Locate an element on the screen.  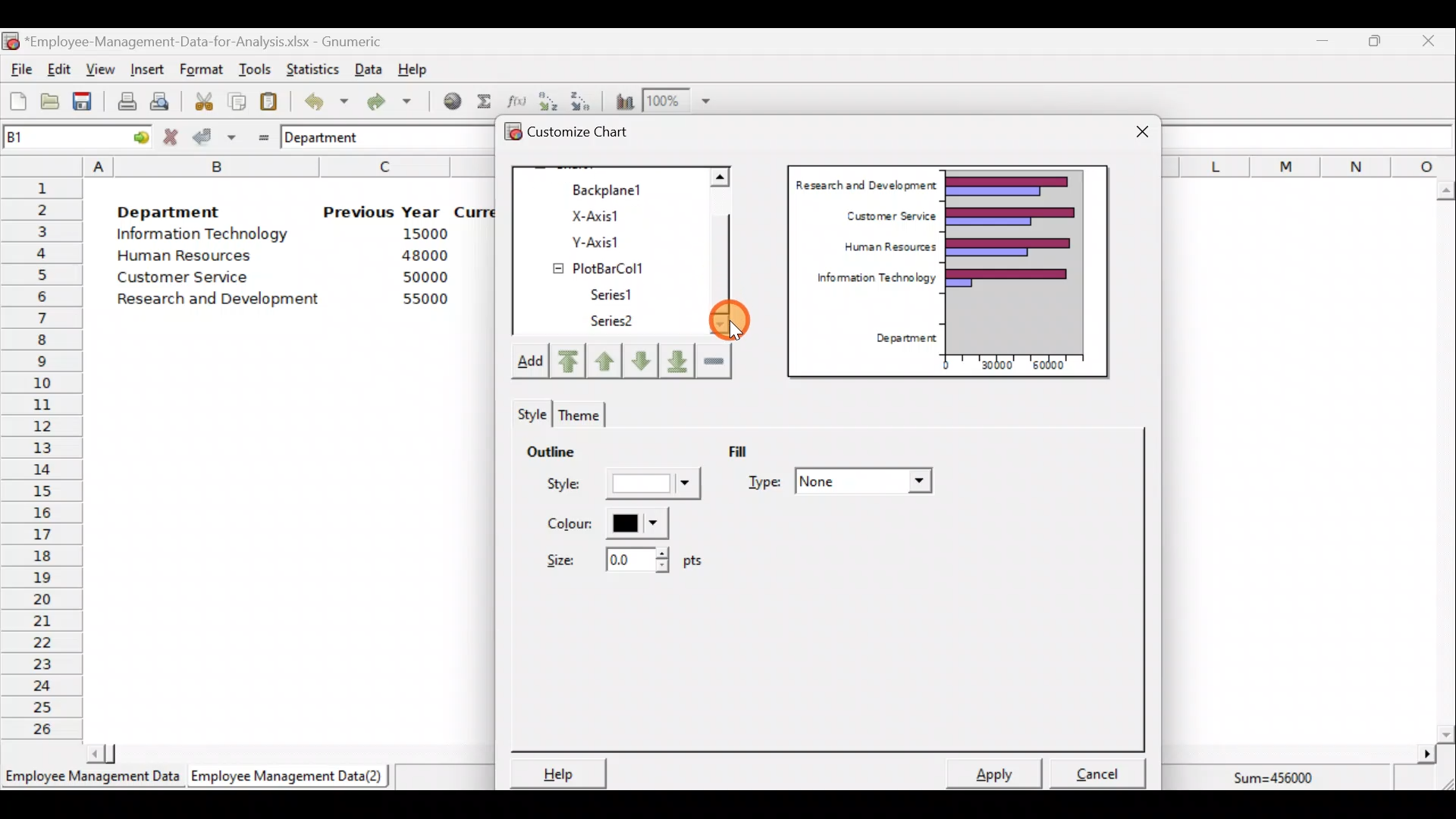
Cursor on scroll bar is located at coordinates (736, 316).